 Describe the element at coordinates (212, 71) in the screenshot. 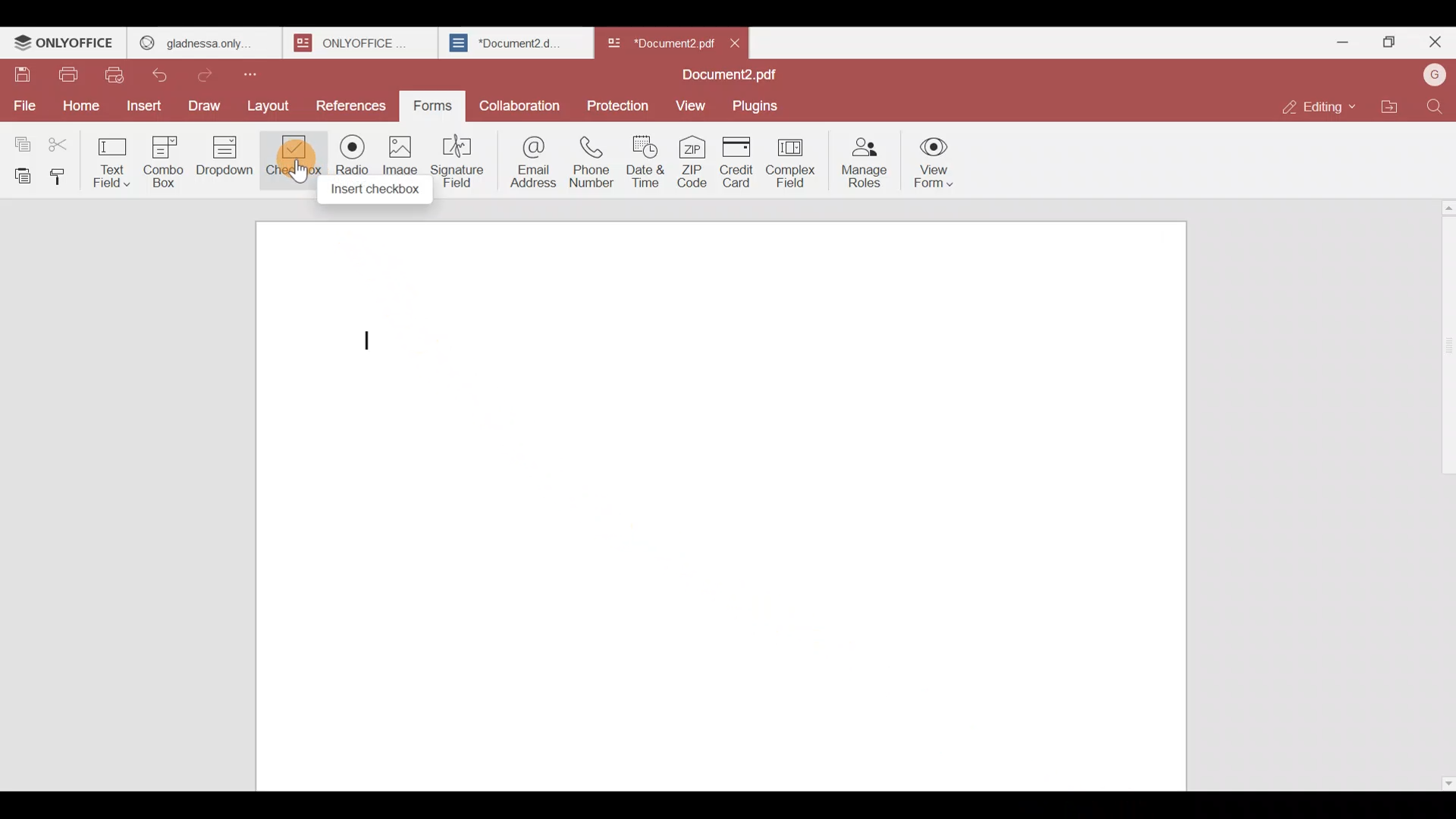

I see `Redo` at that location.